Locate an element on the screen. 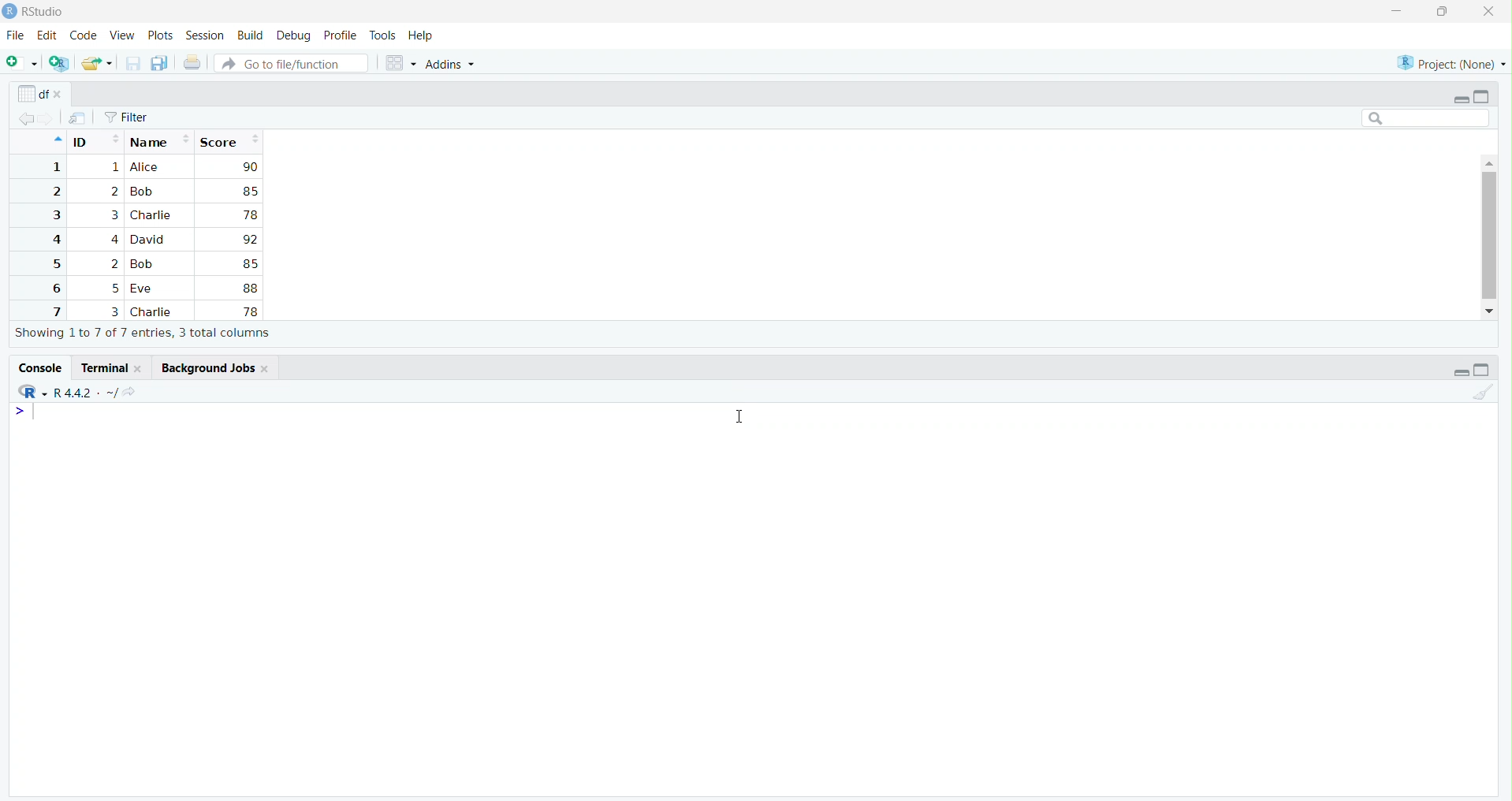  Tools is located at coordinates (383, 36).